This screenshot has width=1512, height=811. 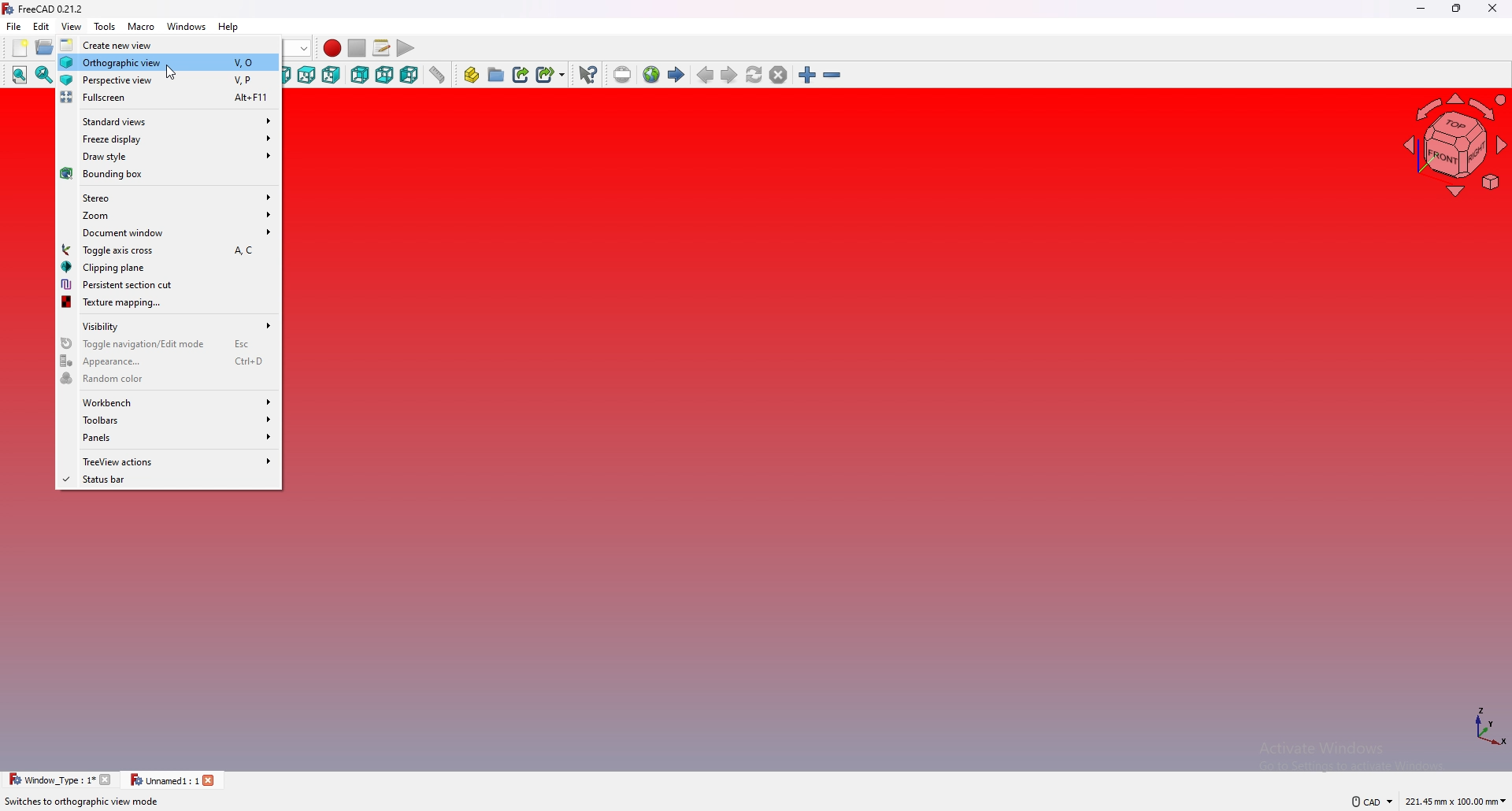 What do you see at coordinates (832, 74) in the screenshot?
I see `zoom out` at bounding box center [832, 74].